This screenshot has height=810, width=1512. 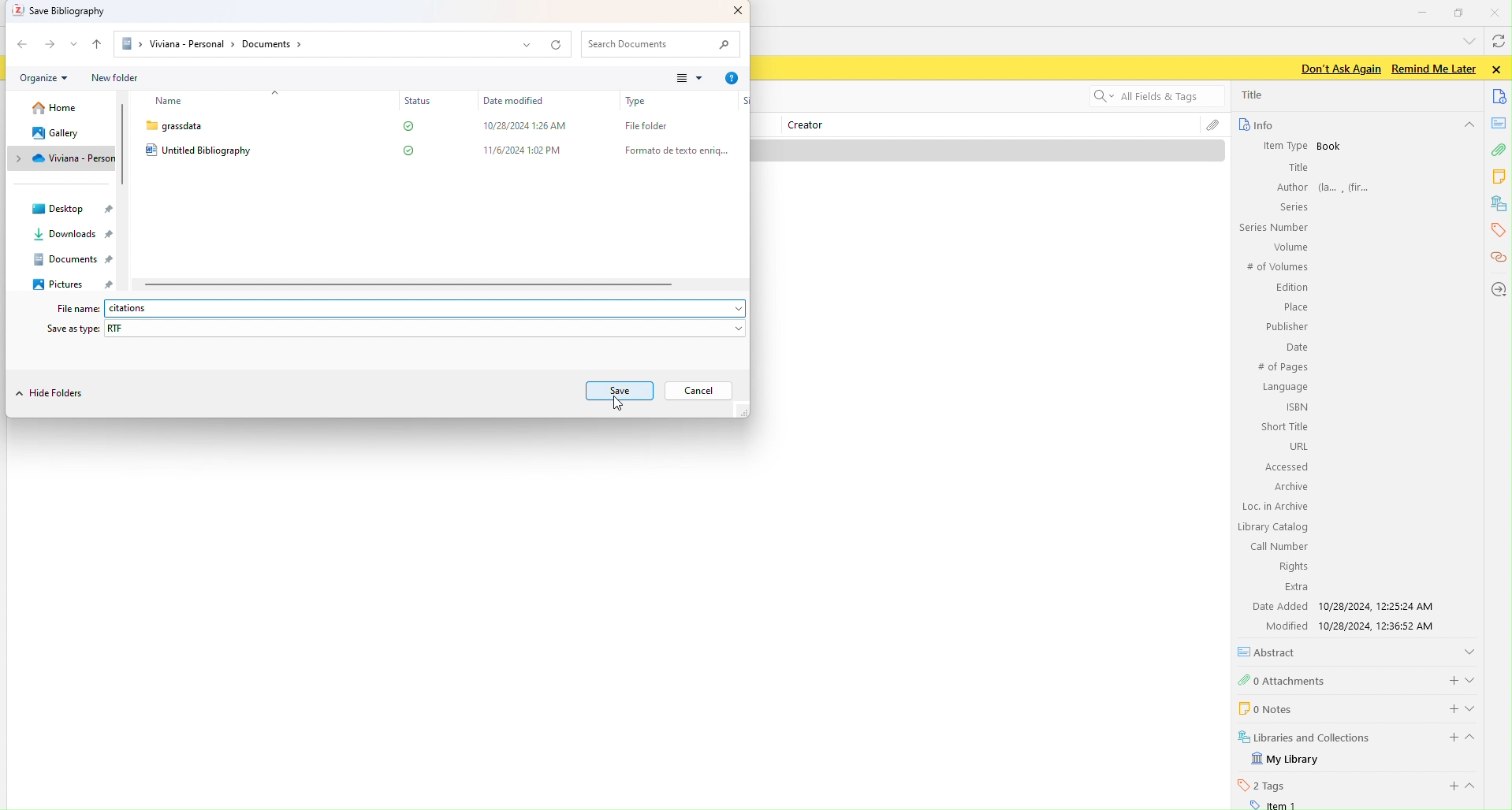 What do you see at coordinates (1498, 152) in the screenshot?
I see `attachment` at bounding box center [1498, 152].